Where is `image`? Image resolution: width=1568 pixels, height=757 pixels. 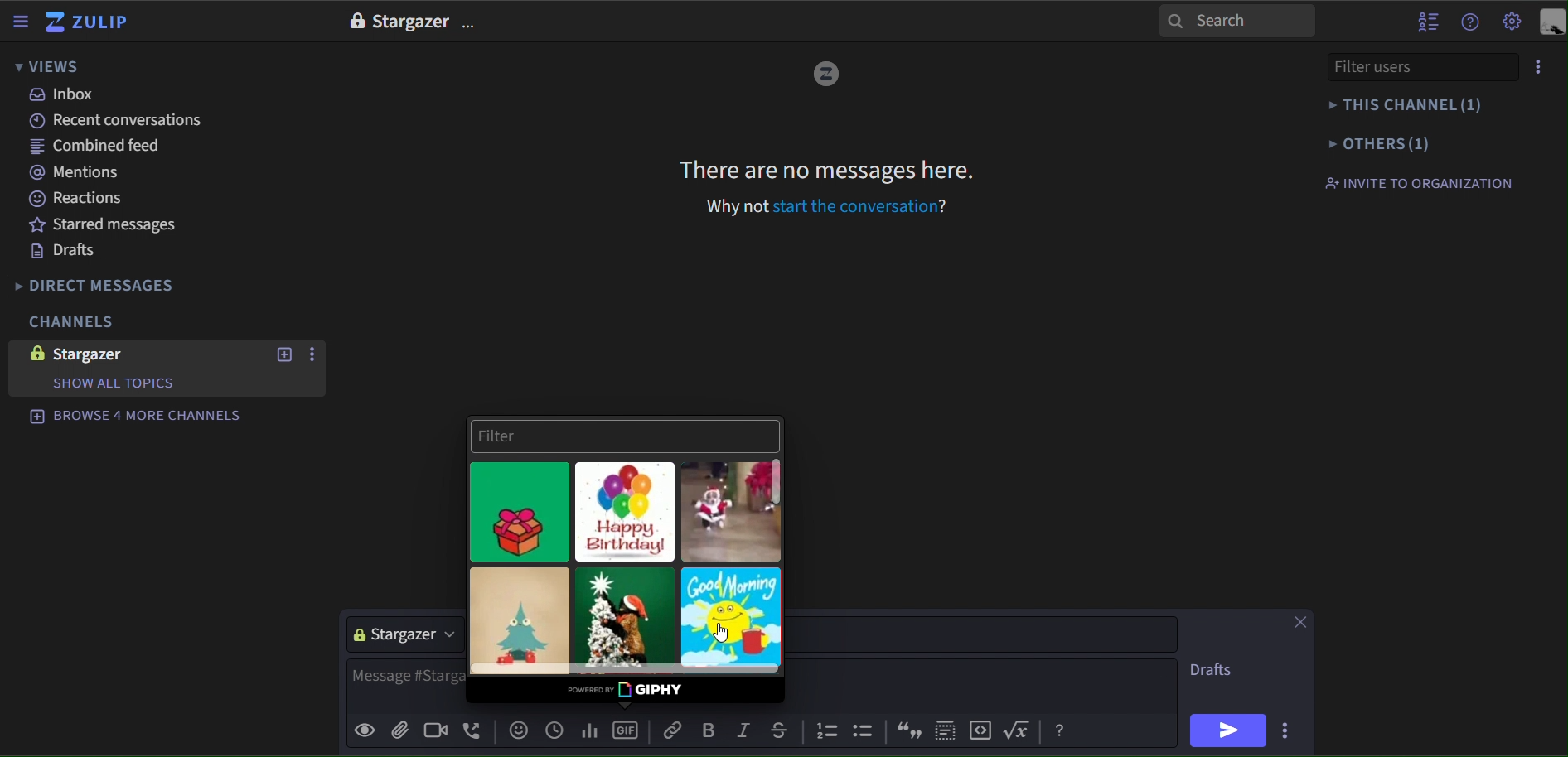 image is located at coordinates (522, 512).